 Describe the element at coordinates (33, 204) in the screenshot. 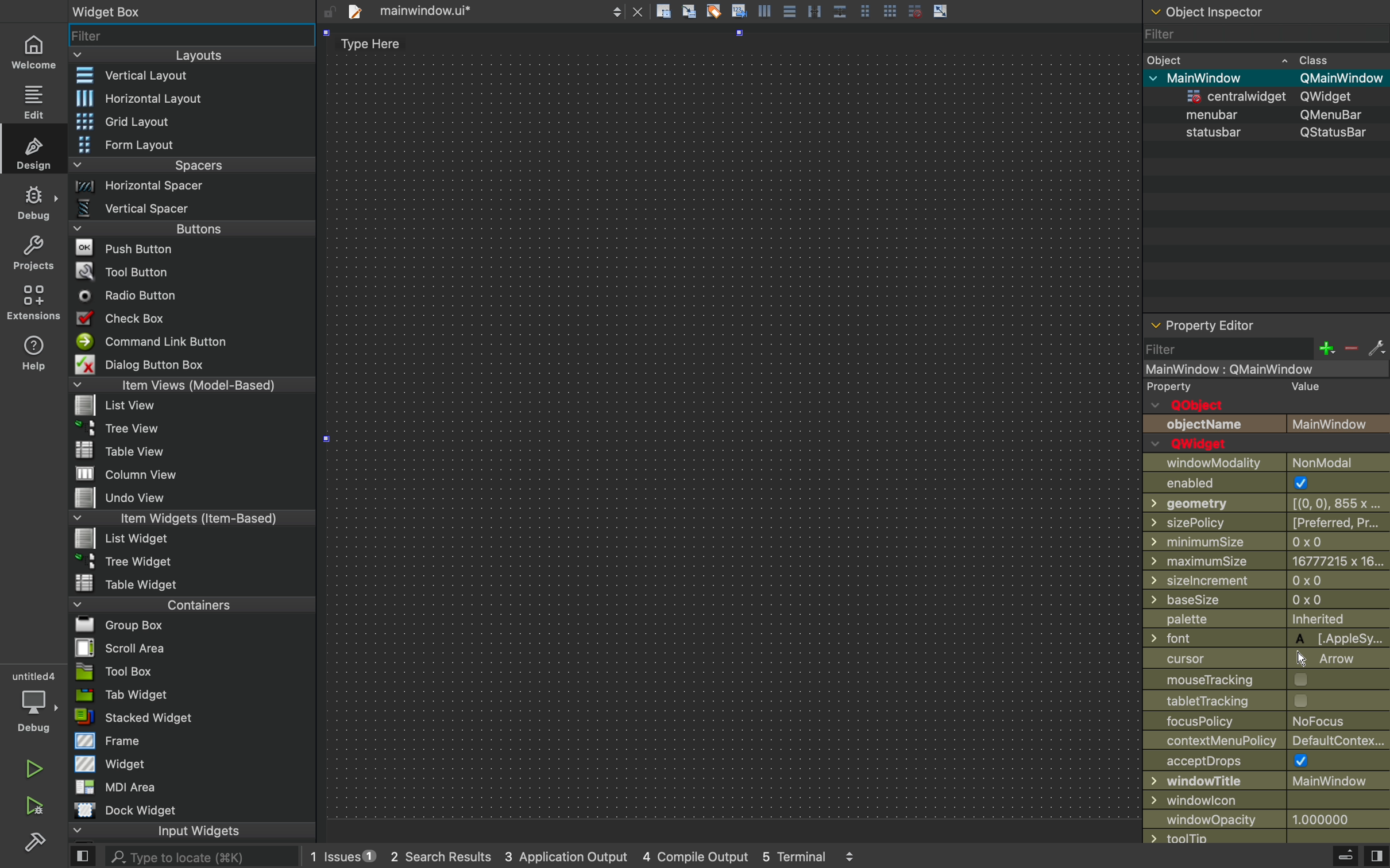

I see `debug` at that location.